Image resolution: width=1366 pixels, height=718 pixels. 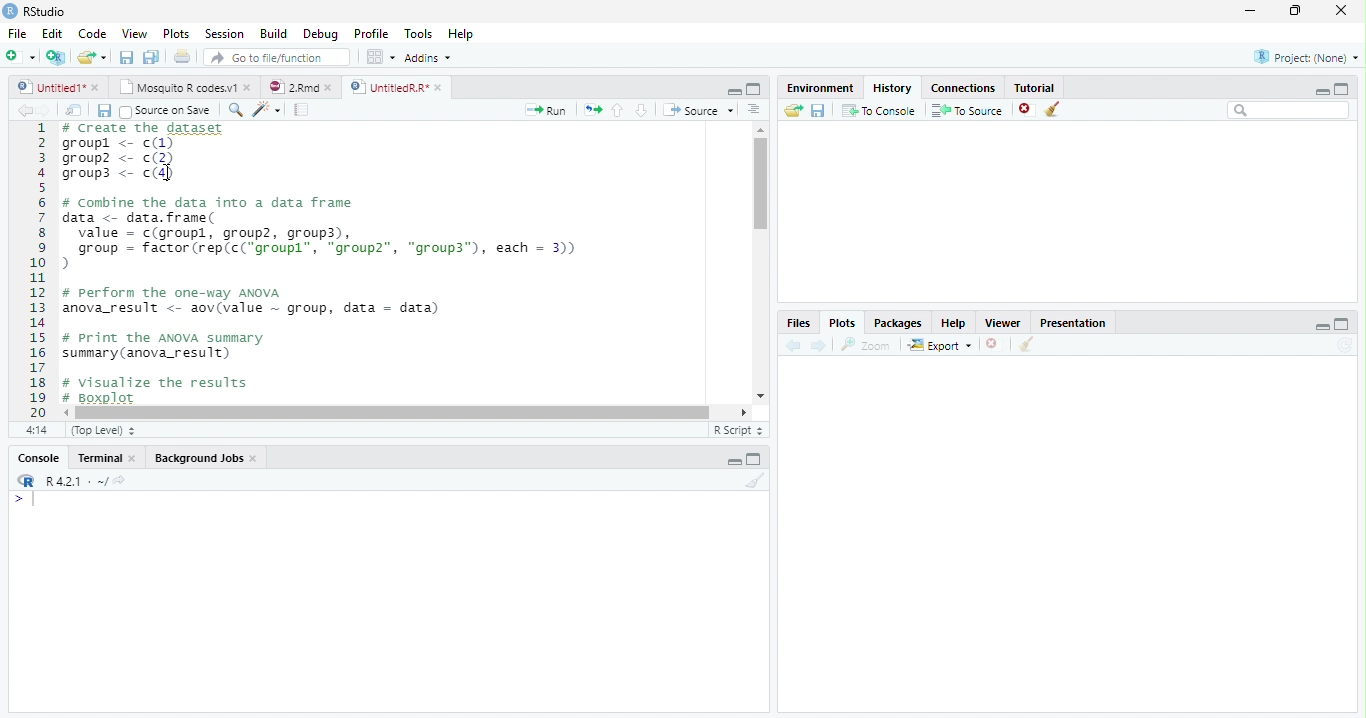 What do you see at coordinates (617, 109) in the screenshot?
I see `Go to previous section` at bounding box center [617, 109].